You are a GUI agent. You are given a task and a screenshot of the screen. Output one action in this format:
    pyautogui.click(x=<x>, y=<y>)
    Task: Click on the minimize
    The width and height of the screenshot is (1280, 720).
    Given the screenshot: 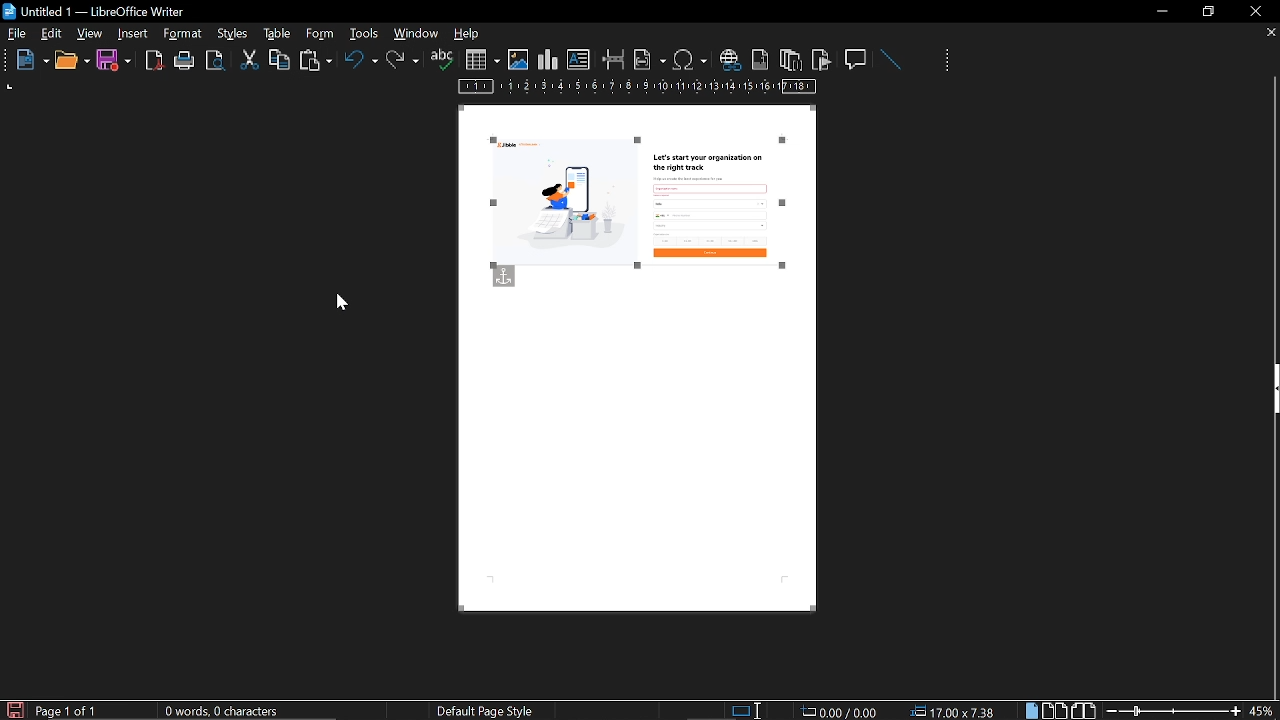 What is the action you would take?
    pyautogui.click(x=1162, y=11)
    